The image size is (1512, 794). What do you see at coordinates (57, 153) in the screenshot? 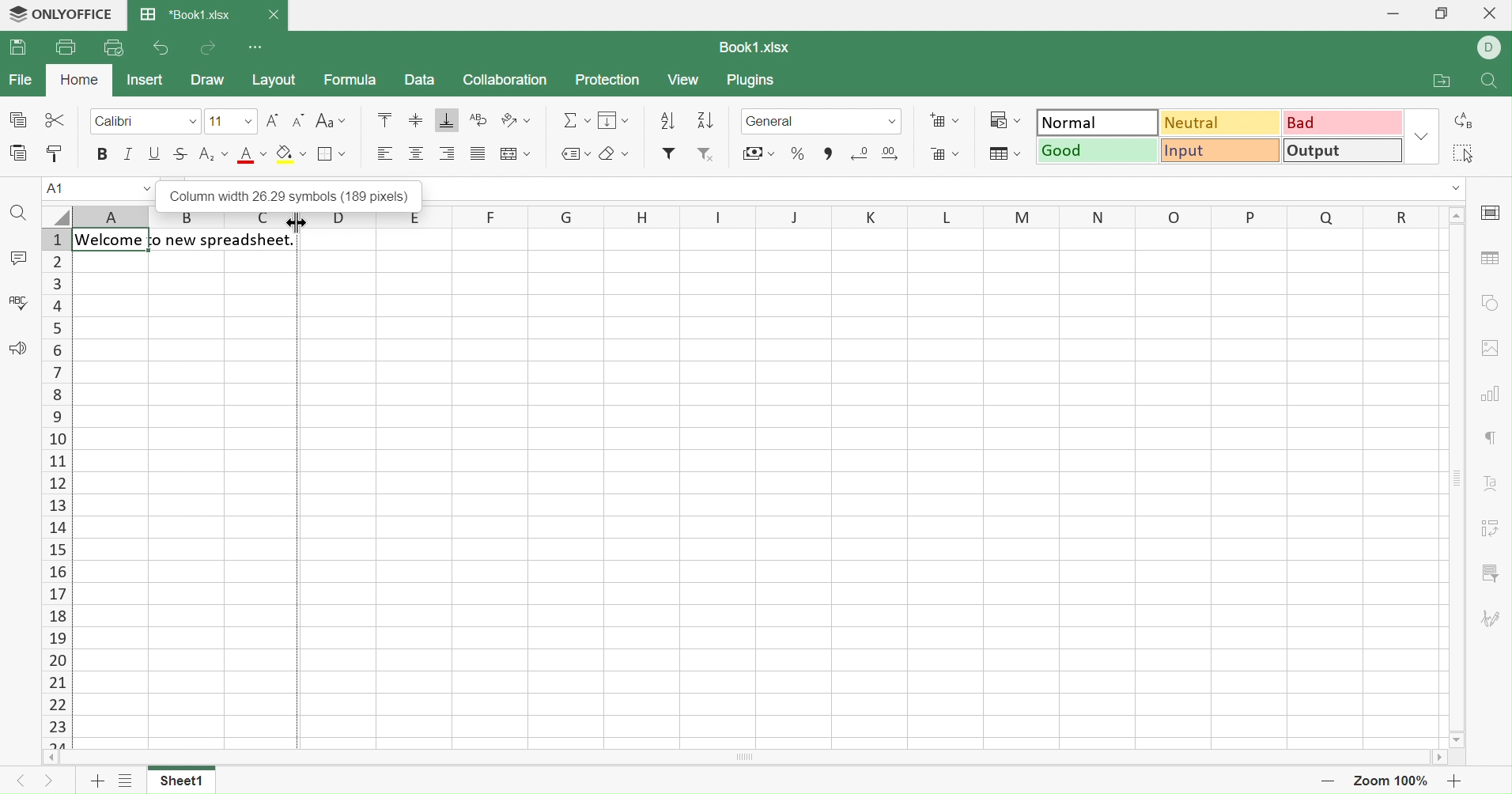
I see `Copy Style` at bounding box center [57, 153].